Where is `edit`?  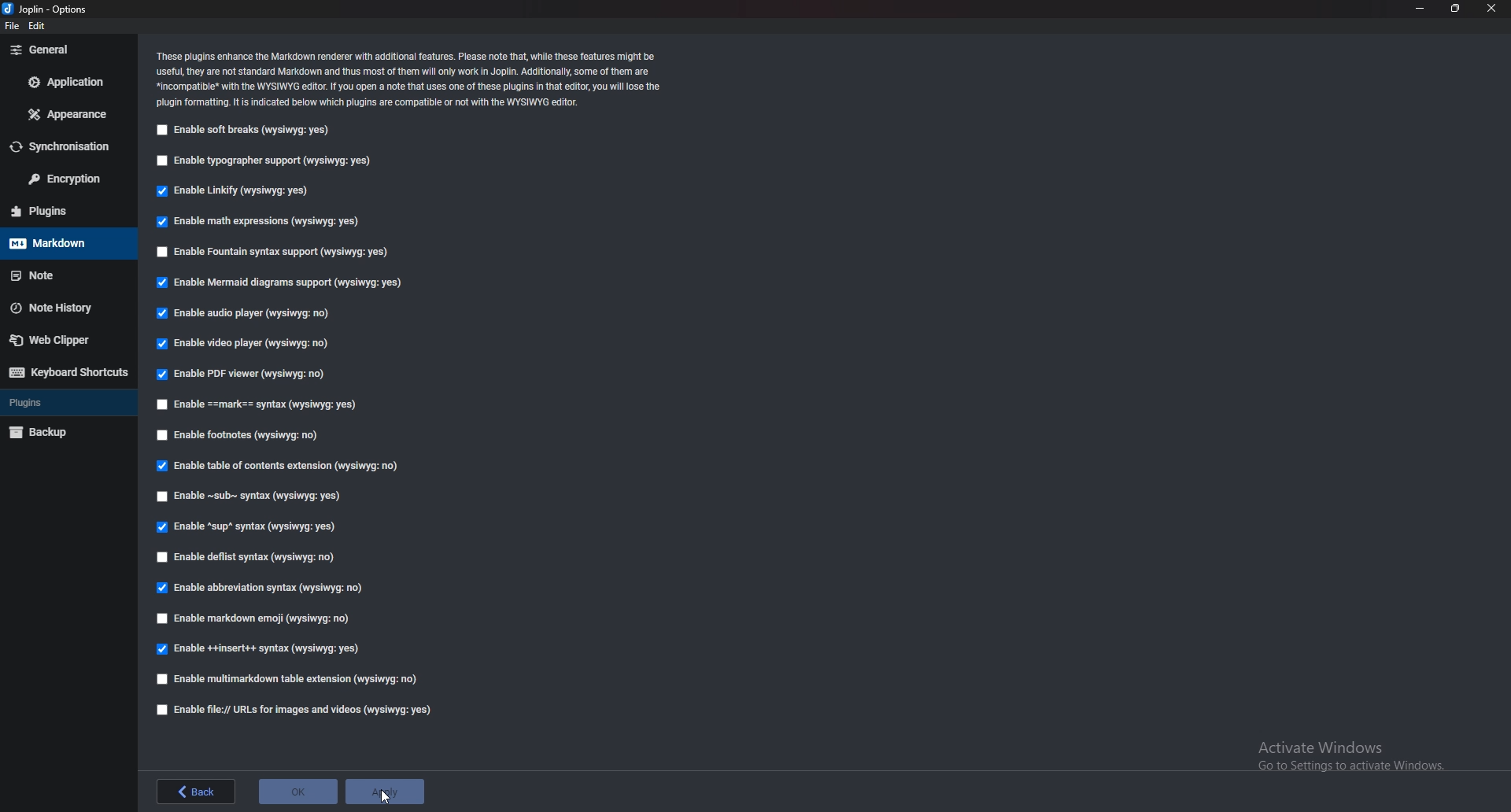
edit is located at coordinates (42, 27).